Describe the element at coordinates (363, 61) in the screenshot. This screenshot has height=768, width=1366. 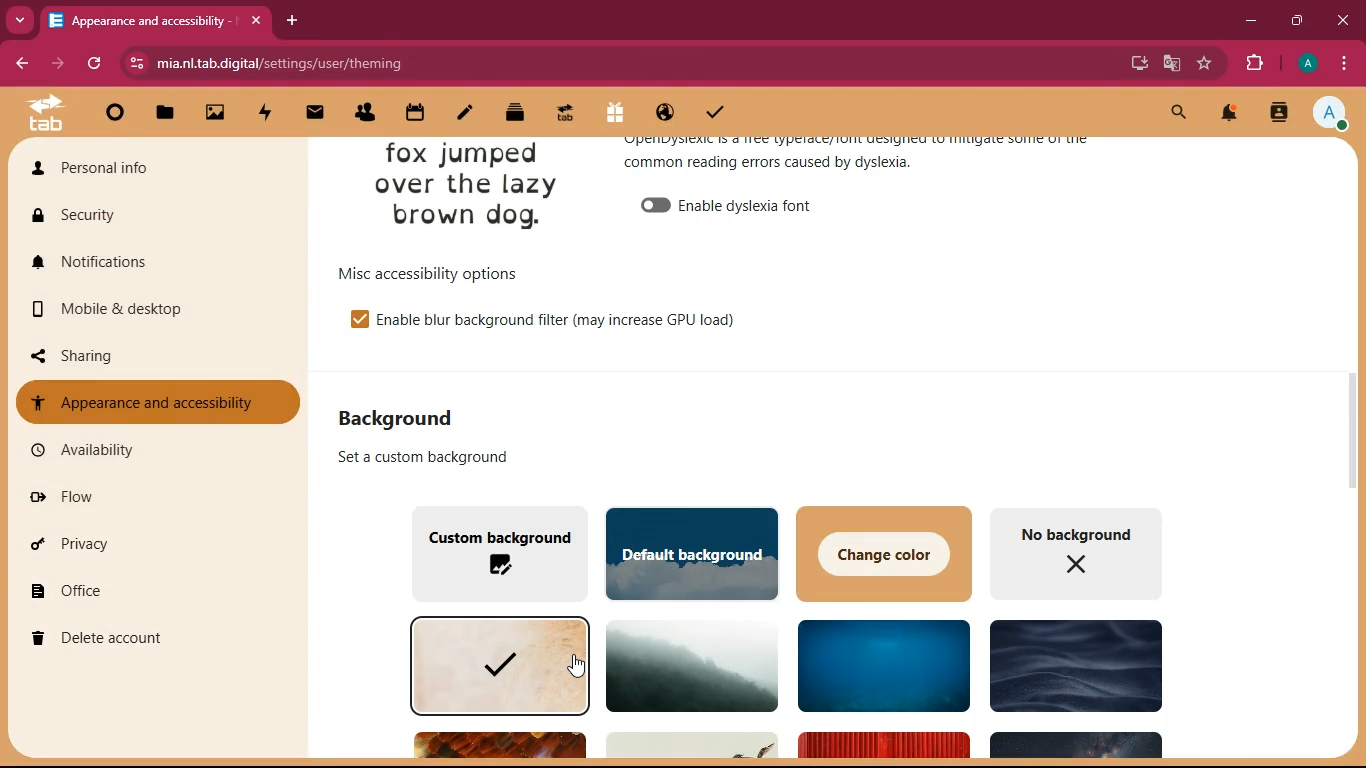
I see `url` at that location.